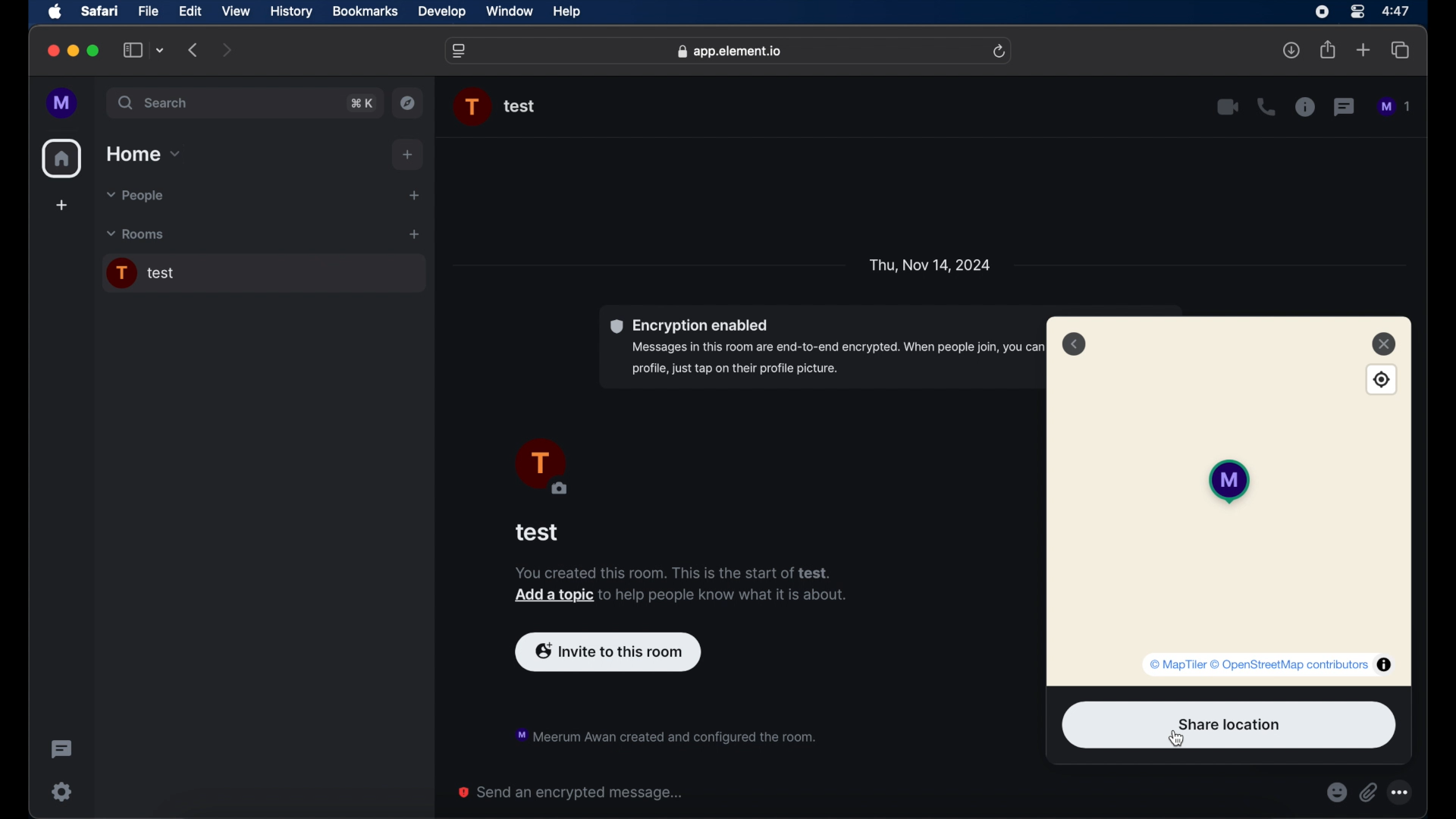 The height and width of the screenshot is (819, 1456). Describe the element at coordinates (819, 347) in the screenshot. I see `encryption enable` at that location.